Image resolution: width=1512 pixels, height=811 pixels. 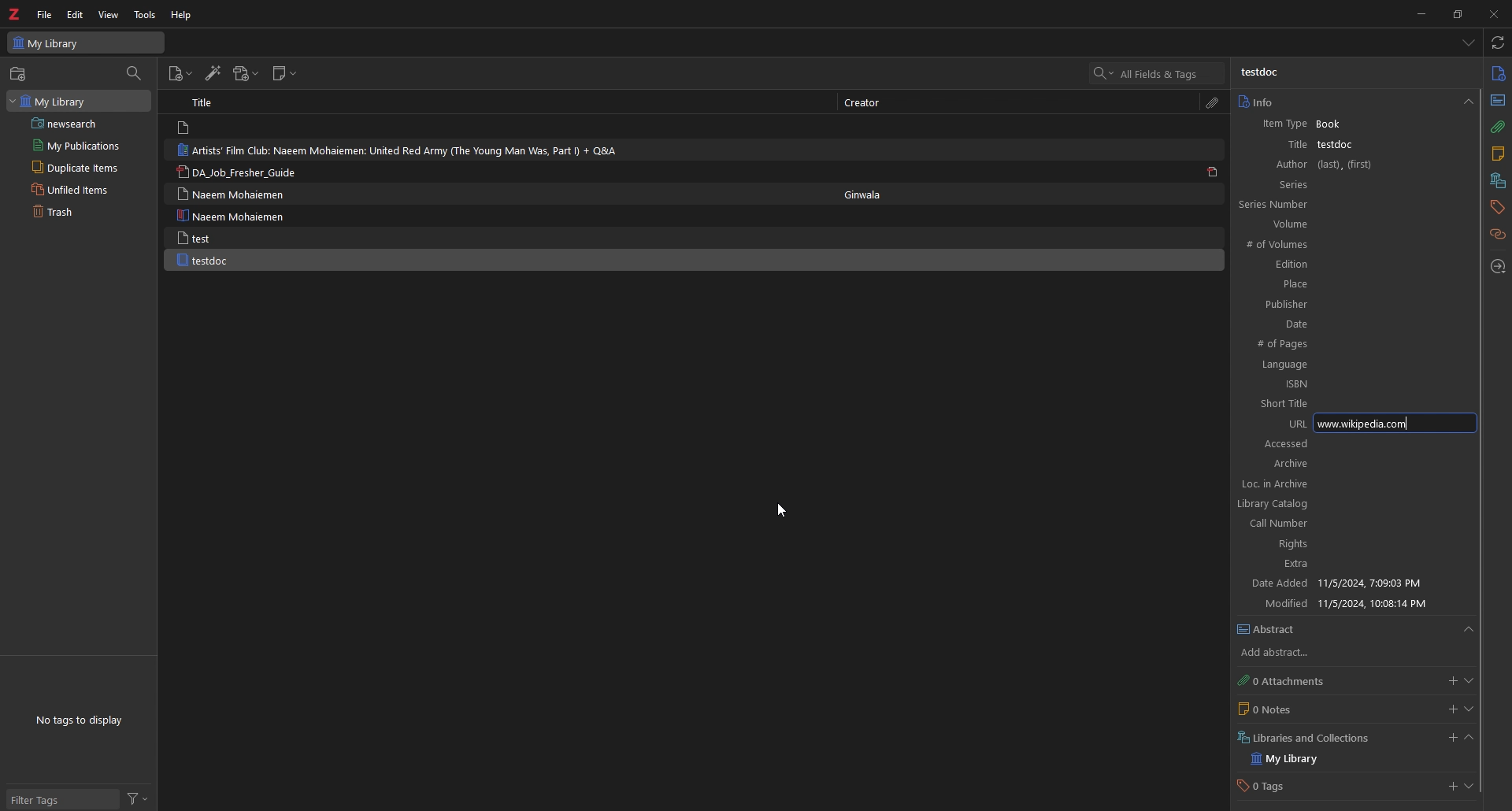 I want to click on Series Number, so click(x=1316, y=206).